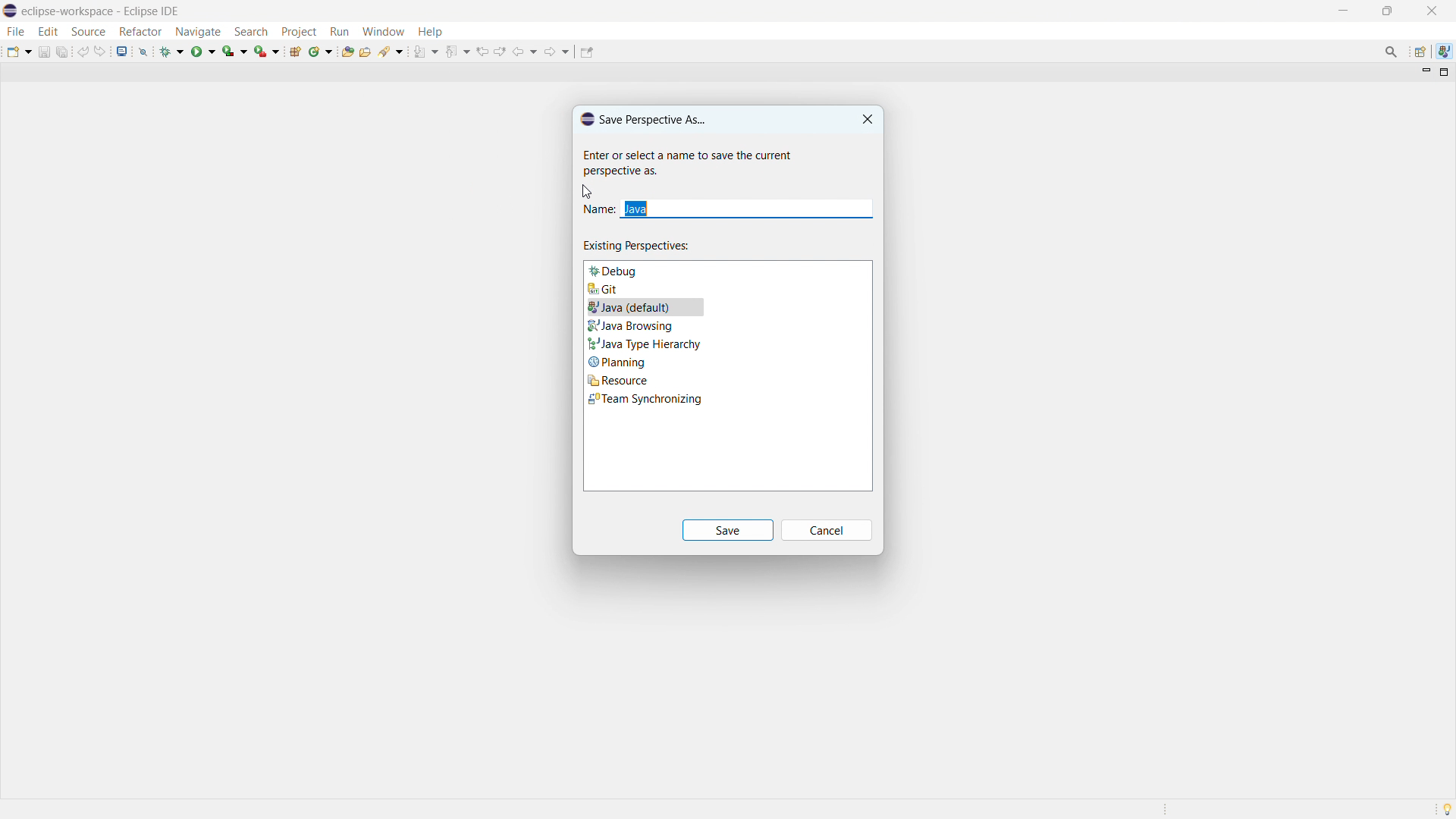 Image resolution: width=1456 pixels, height=819 pixels. I want to click on Java browsing, so click(727, 325).